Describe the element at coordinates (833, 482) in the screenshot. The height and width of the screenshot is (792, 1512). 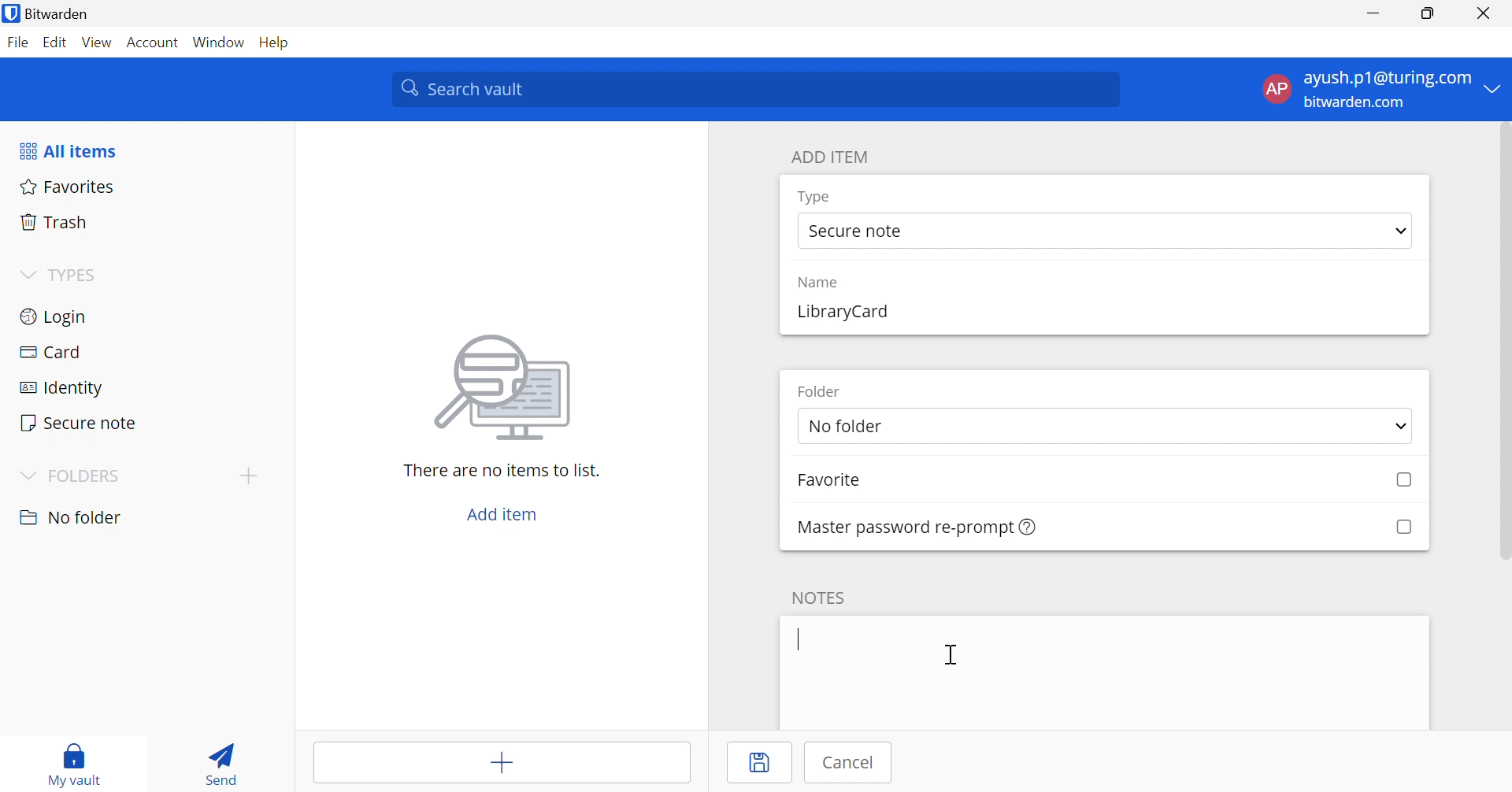
I see `Favorite` at that location.